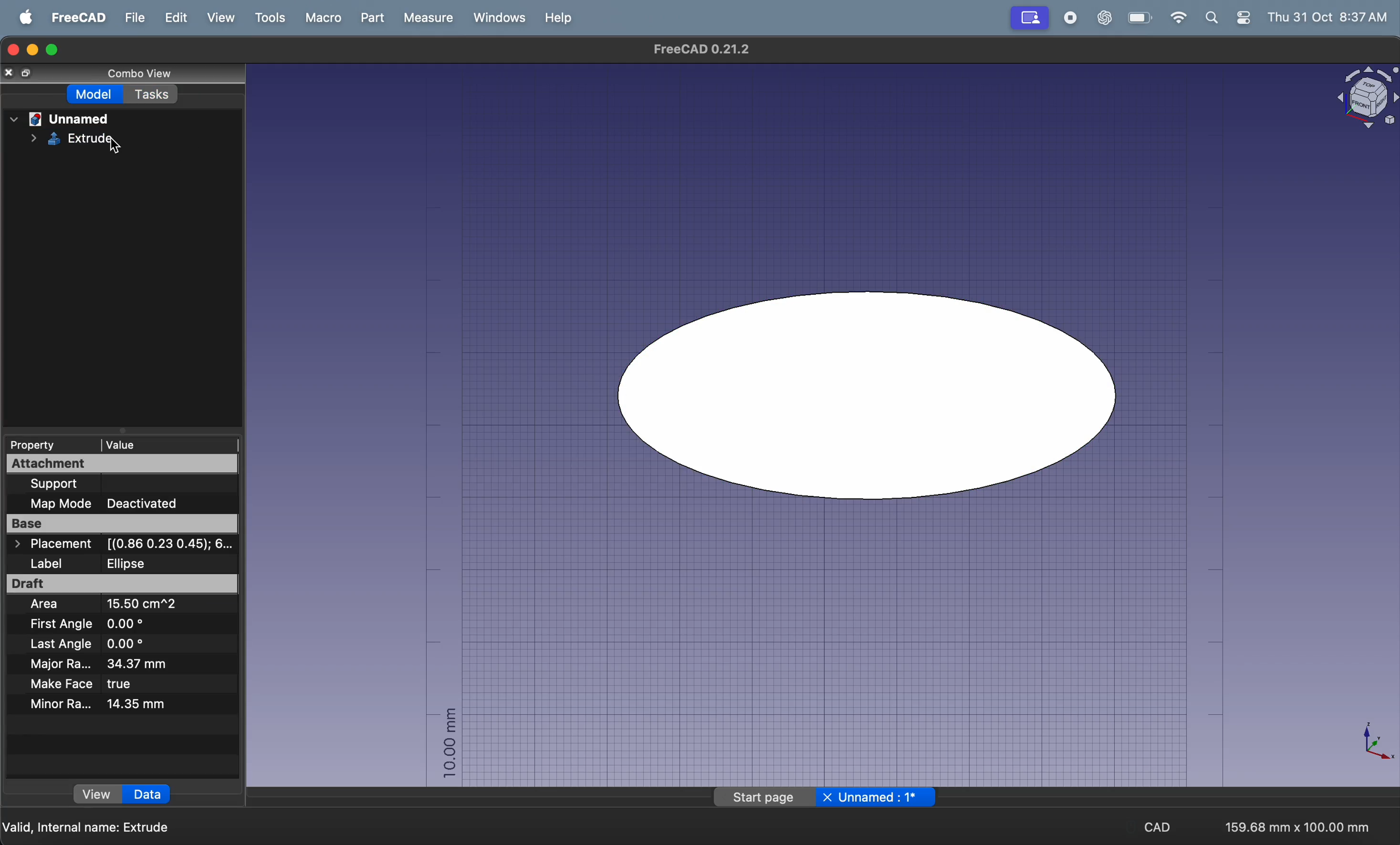 This screenshot has height=845, width=1400. Describe the element at coordinates (423, 18) in the screenshot. I see `measure` at that location.